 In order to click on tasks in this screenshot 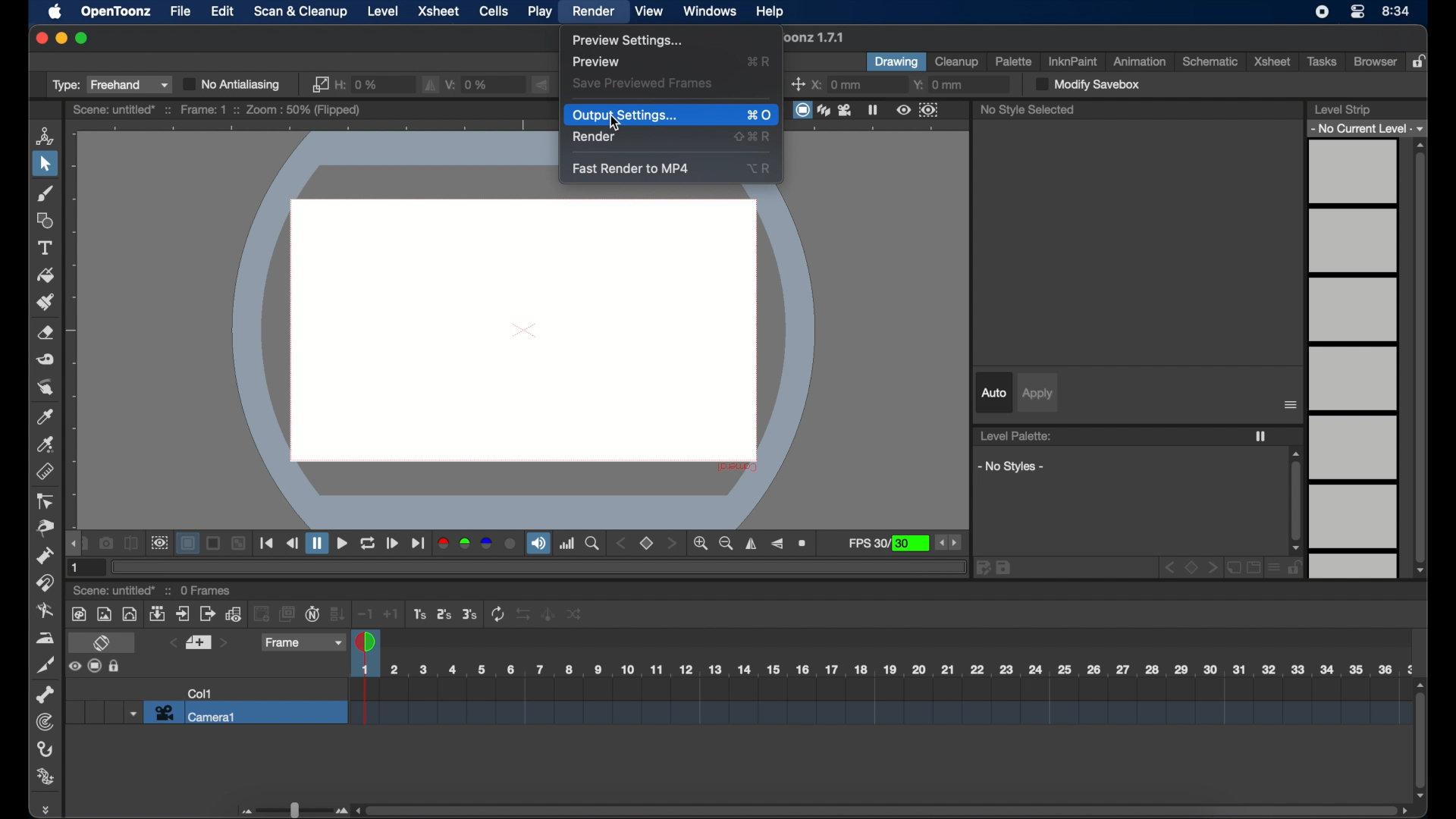, I will do `click(1324, 61)`.